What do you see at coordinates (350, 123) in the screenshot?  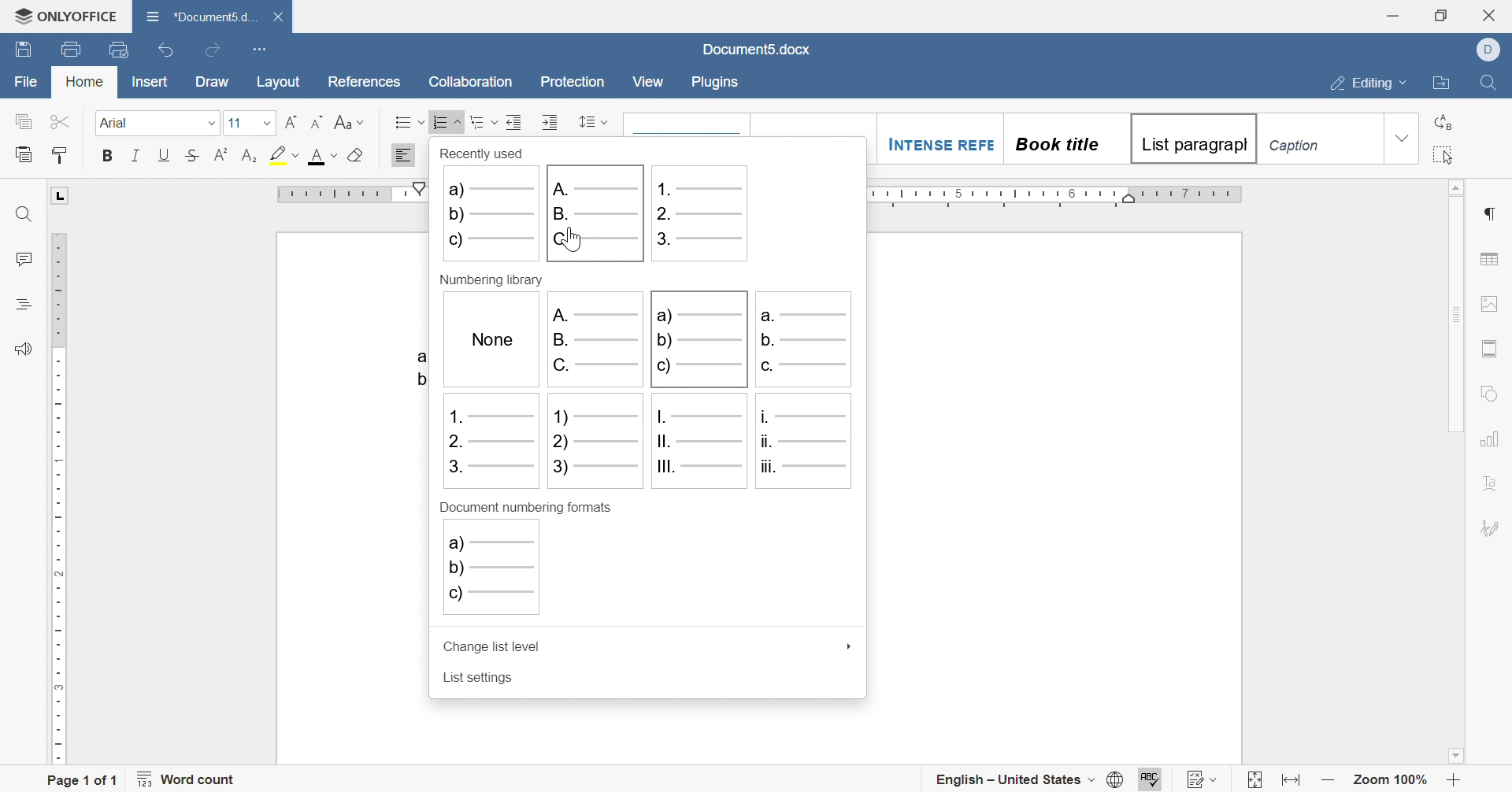 I see `change case` at bounding box center [350, 123].